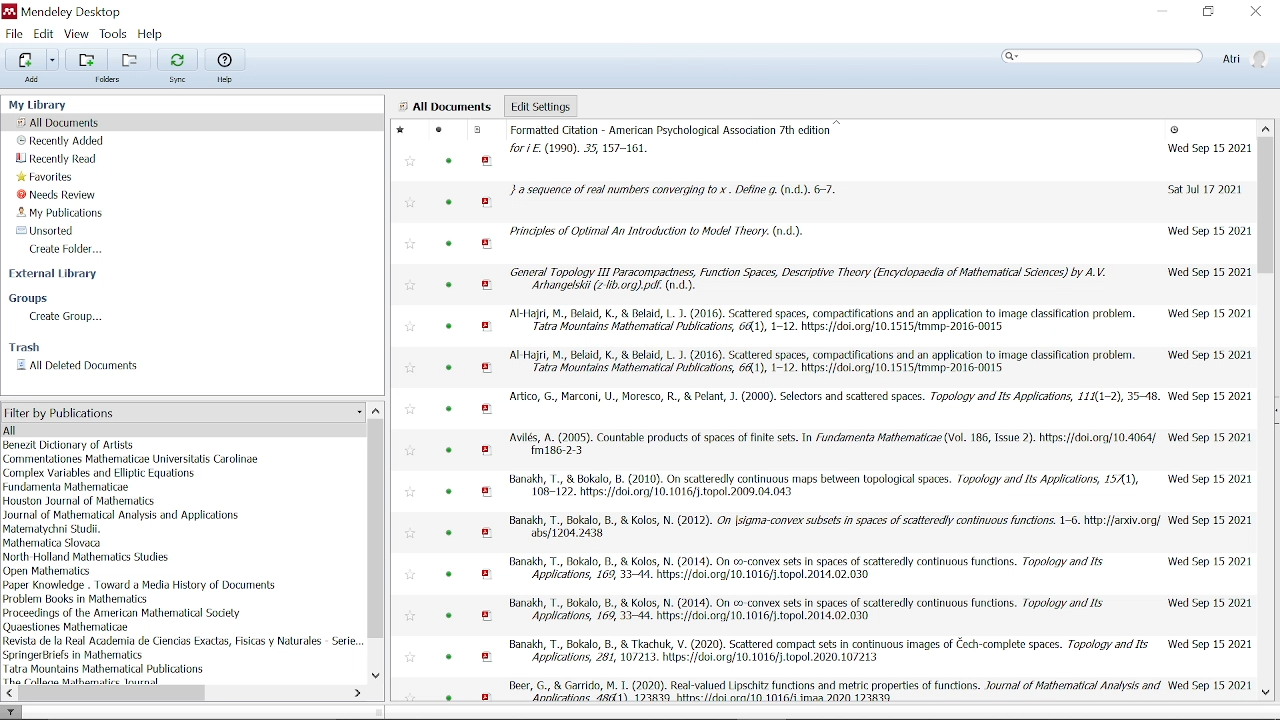 Image resolution: width=1280 pixels, height=720 pixels. Describe the element at coordinates (1208, 12) in the screenshot. I see `restore down` at that location.